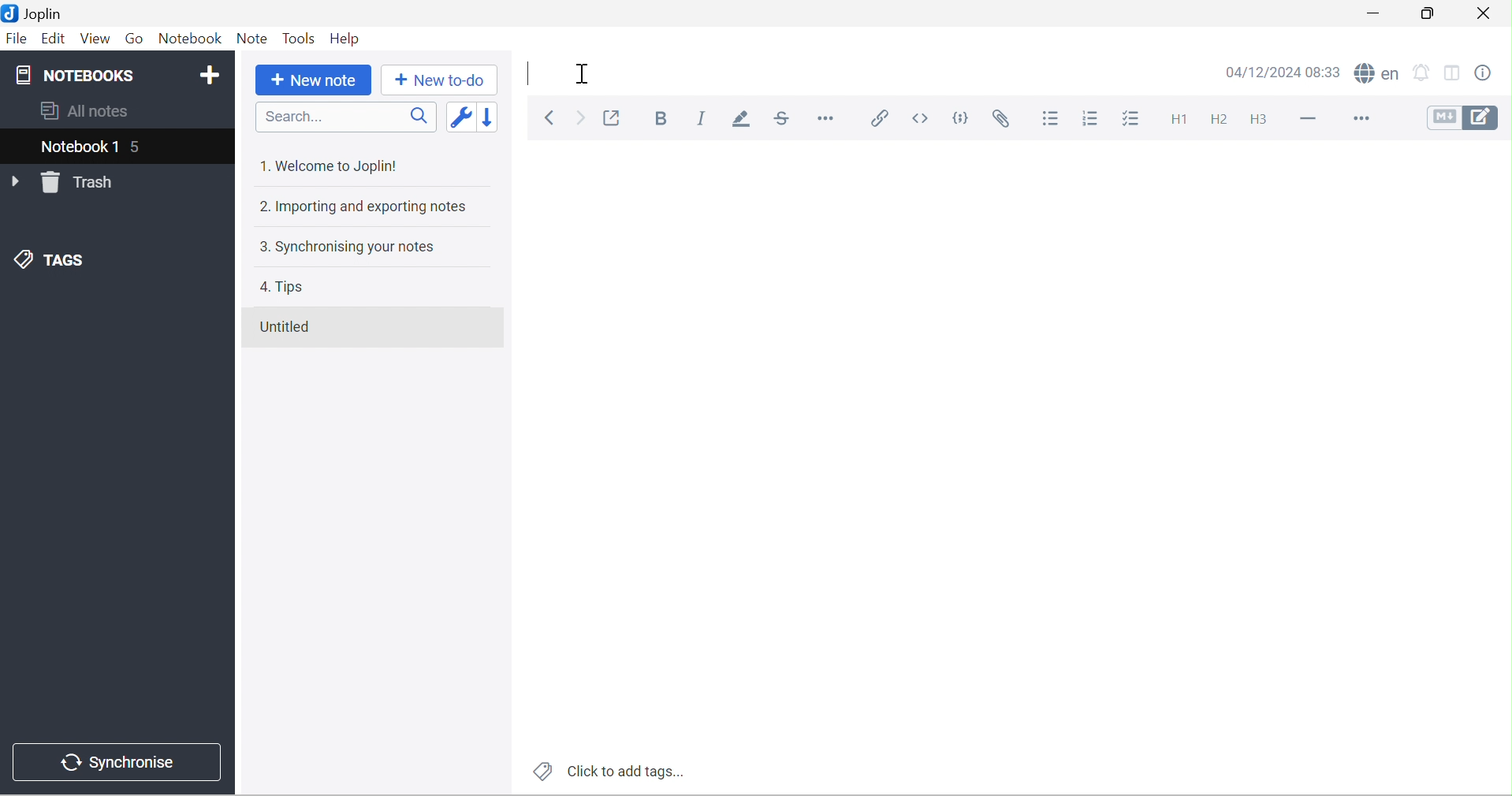 This screenshot has height=796, width=1512. I want to click on Toggle external editing, so click(612, 117).